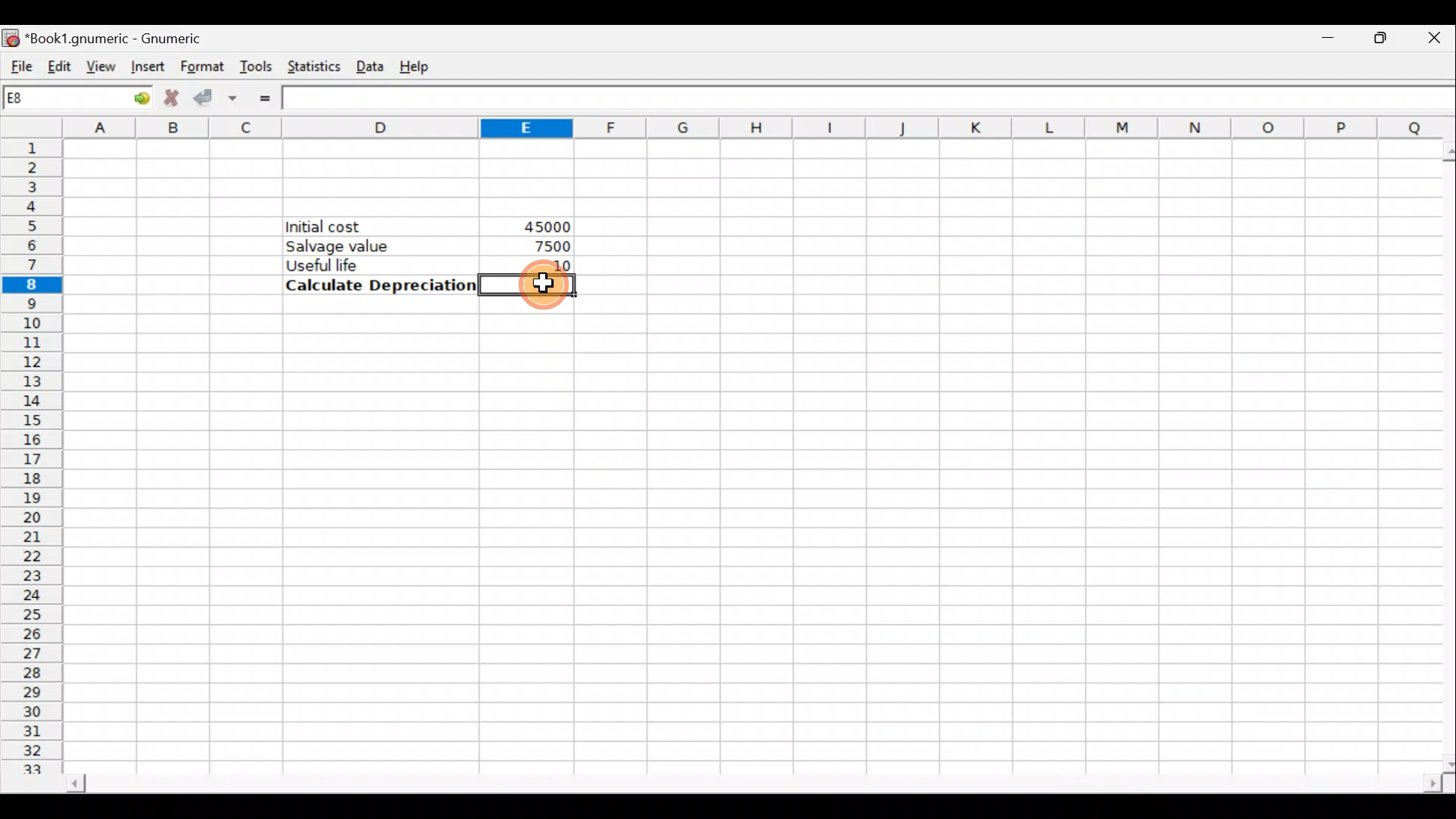 The height and width of the screenshot is (819, 1456). I want to click on Selected cell, so click(527, 285).